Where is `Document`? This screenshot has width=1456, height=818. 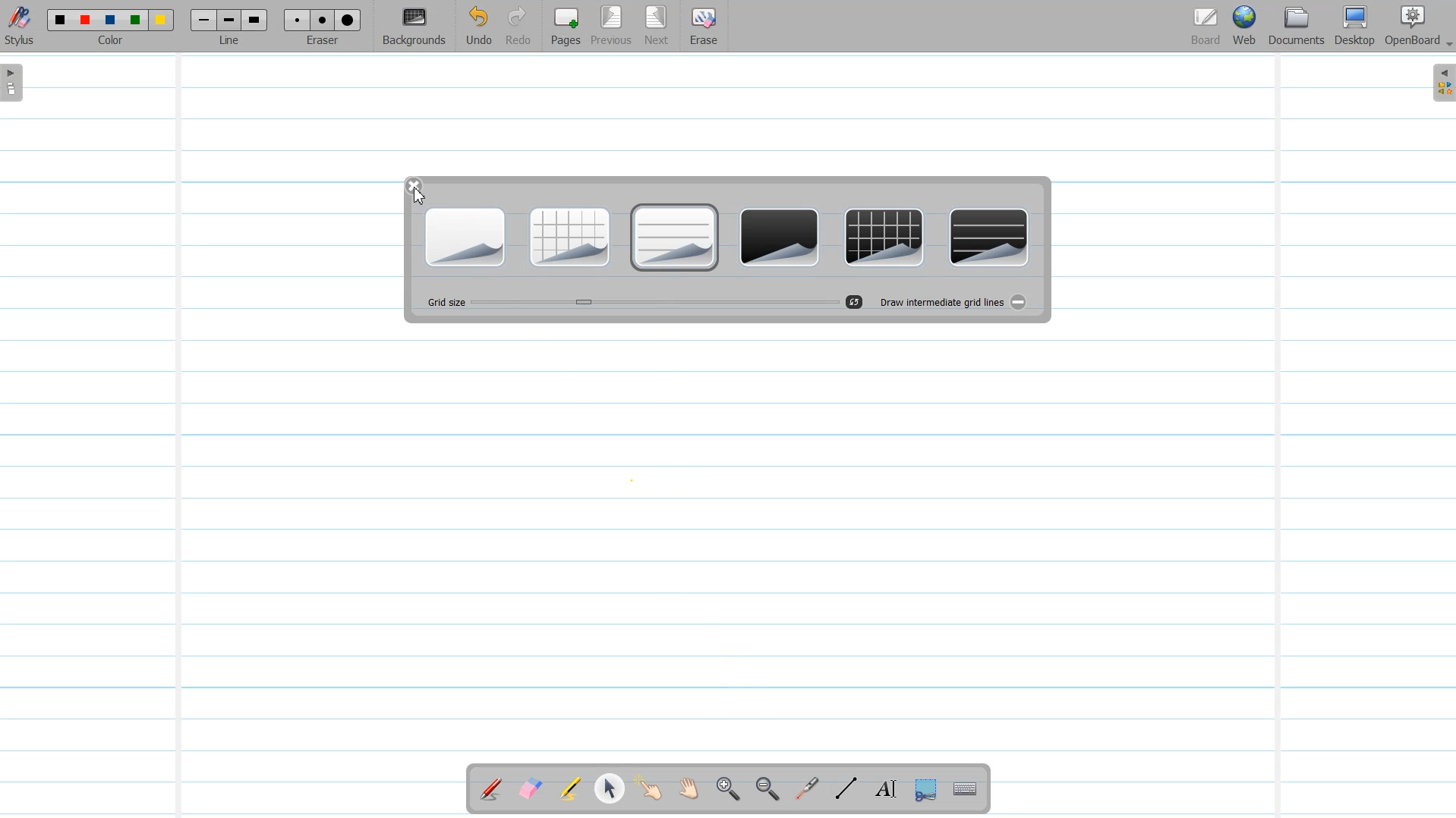
Document is located at coordinates (1298, 26).